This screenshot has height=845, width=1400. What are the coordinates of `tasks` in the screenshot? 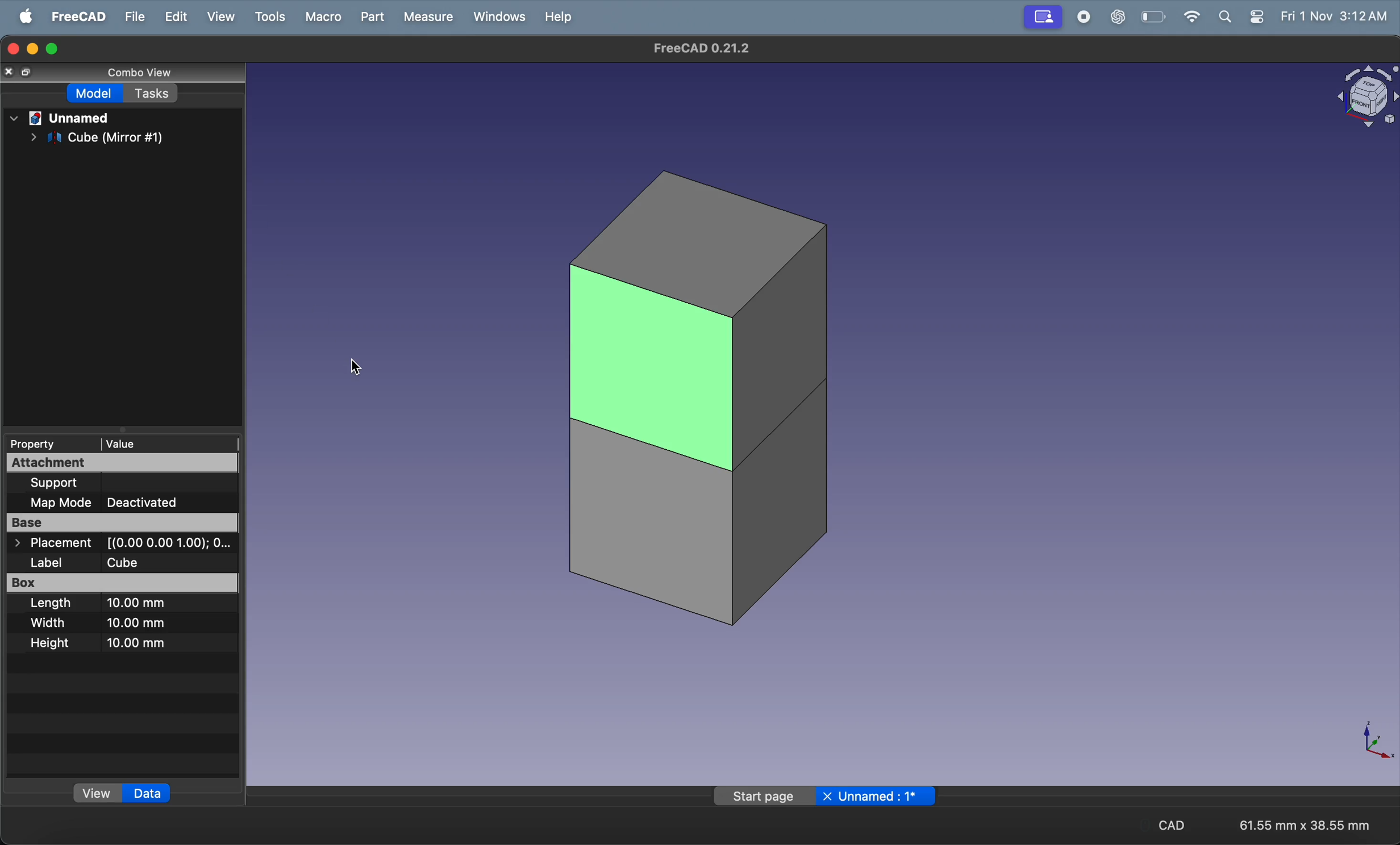 It's located at (153, 95).